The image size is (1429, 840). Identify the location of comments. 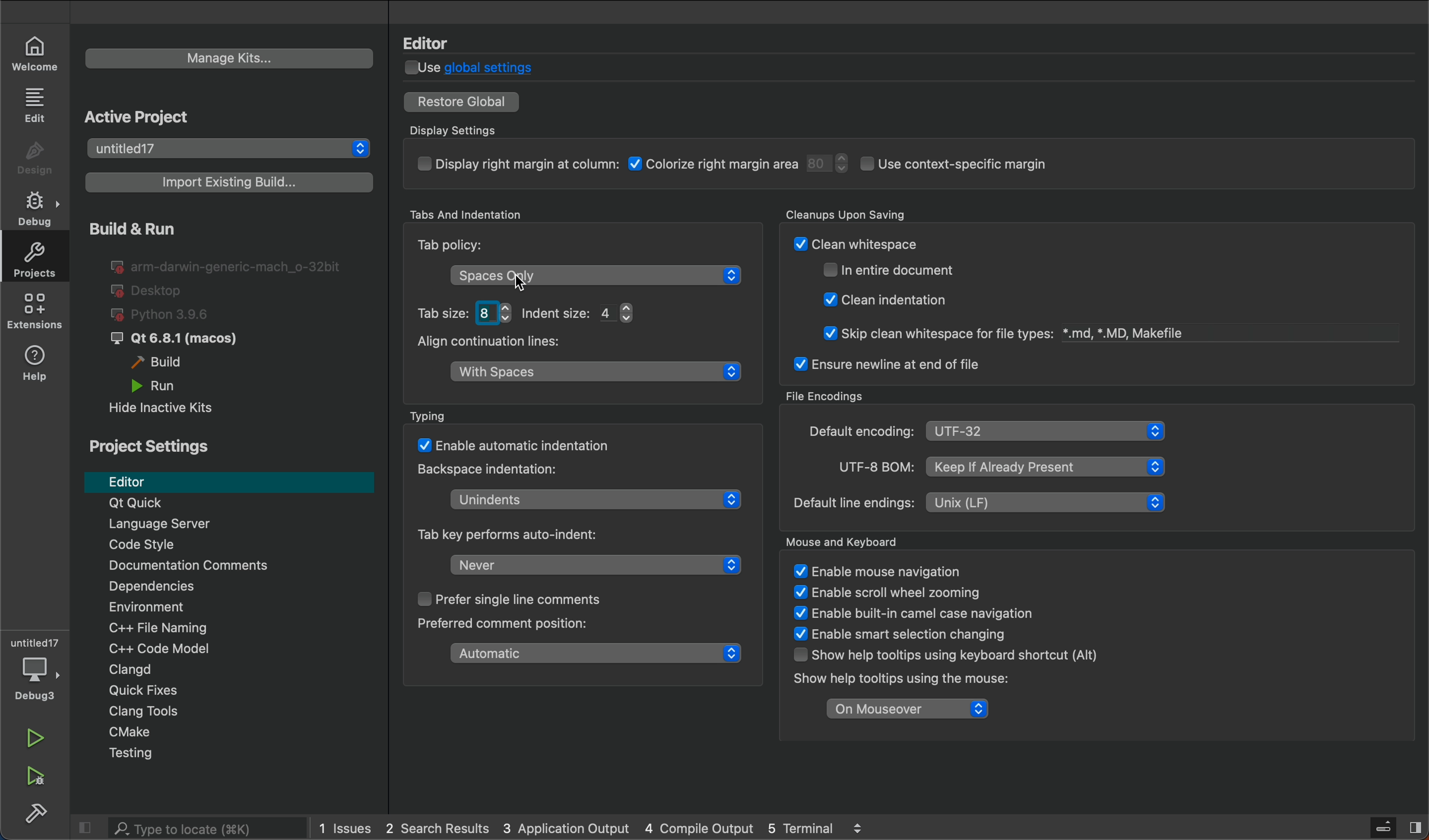
(240, 566).